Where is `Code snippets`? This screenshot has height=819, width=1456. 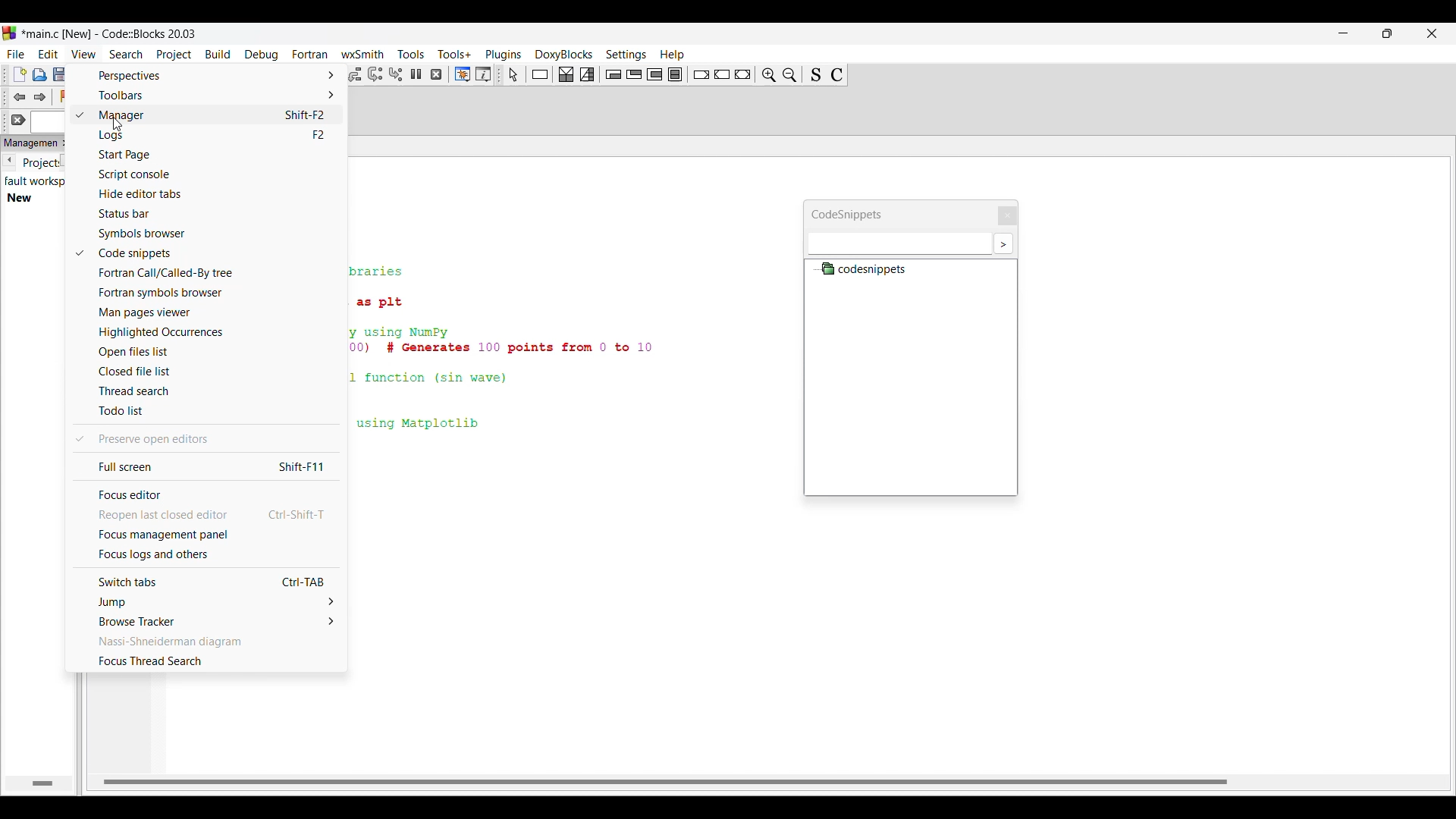 Code snippets is located at coordinates (215, 253).